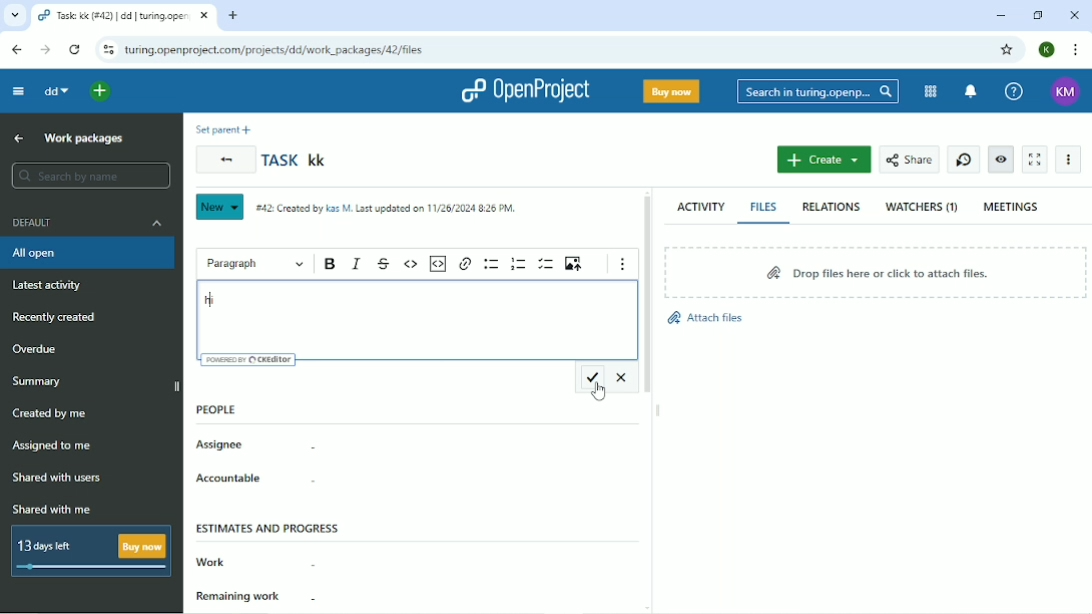  Describe the element at coordinates (46, 49) in the screenshot. I see `Forward` at that location.